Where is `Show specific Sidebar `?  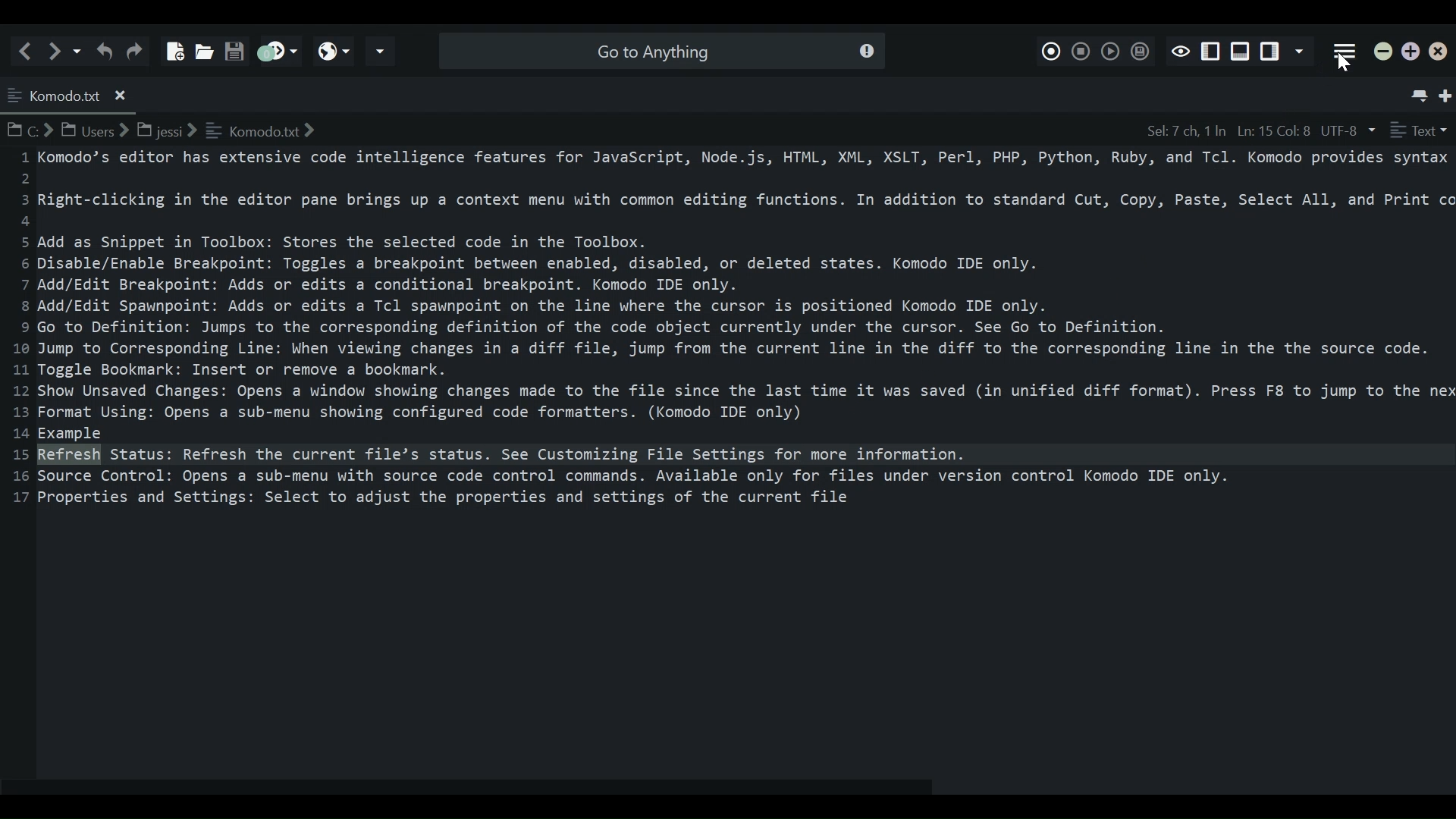 Show specific Sidebar  is located at coordinates (1302, 52).